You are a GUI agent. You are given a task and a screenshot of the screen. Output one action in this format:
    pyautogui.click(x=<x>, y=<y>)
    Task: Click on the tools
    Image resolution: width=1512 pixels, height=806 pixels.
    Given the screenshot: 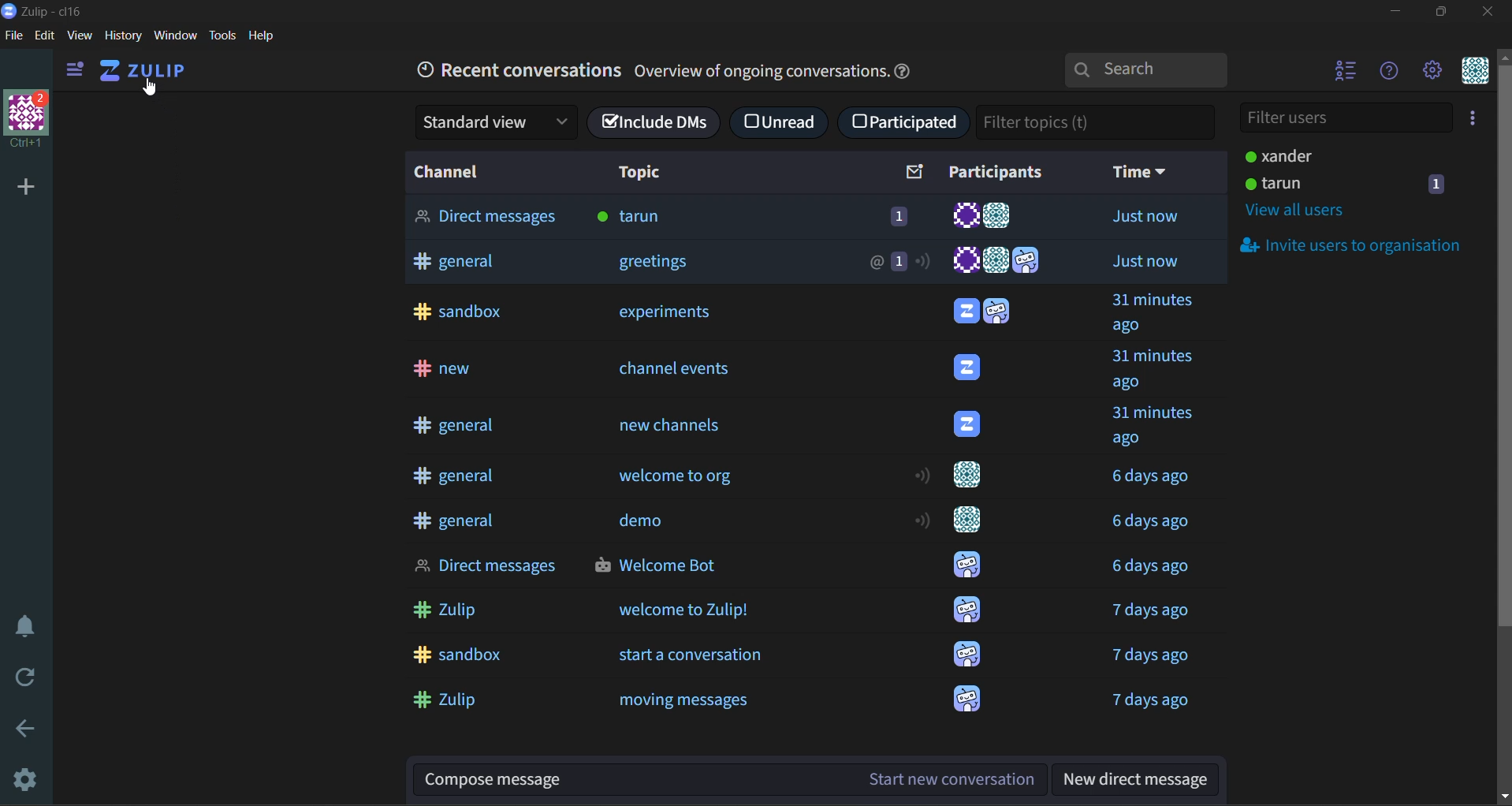 What is the action you would take?
    pyautogui.click(x=220, y=37)
    